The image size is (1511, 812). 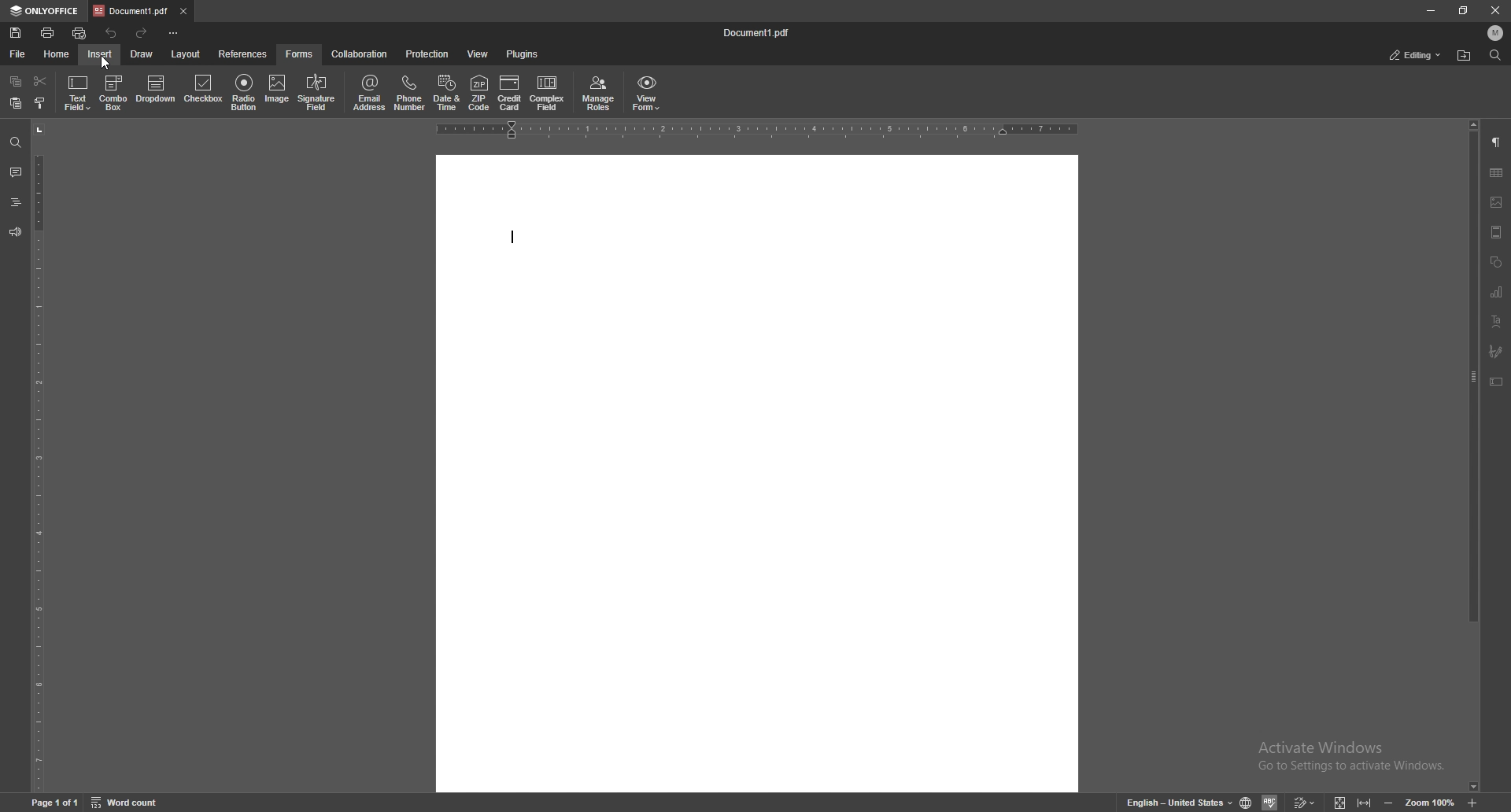 What do you see at coordinates (758, 473) in the screenshot?
I see `doc` at bounding box center [758, 473].